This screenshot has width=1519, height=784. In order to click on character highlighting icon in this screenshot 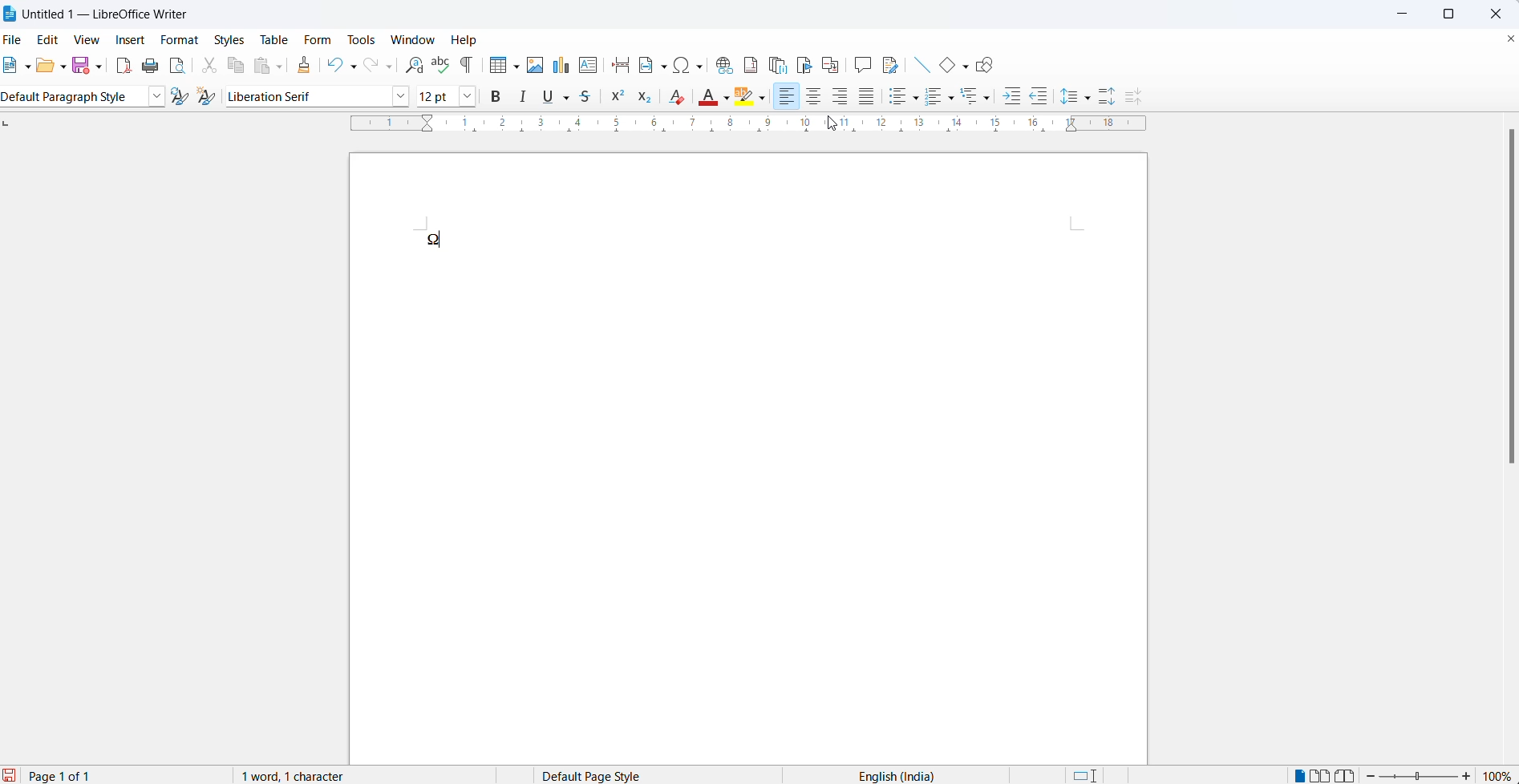, I will do `click(745, 101)`.